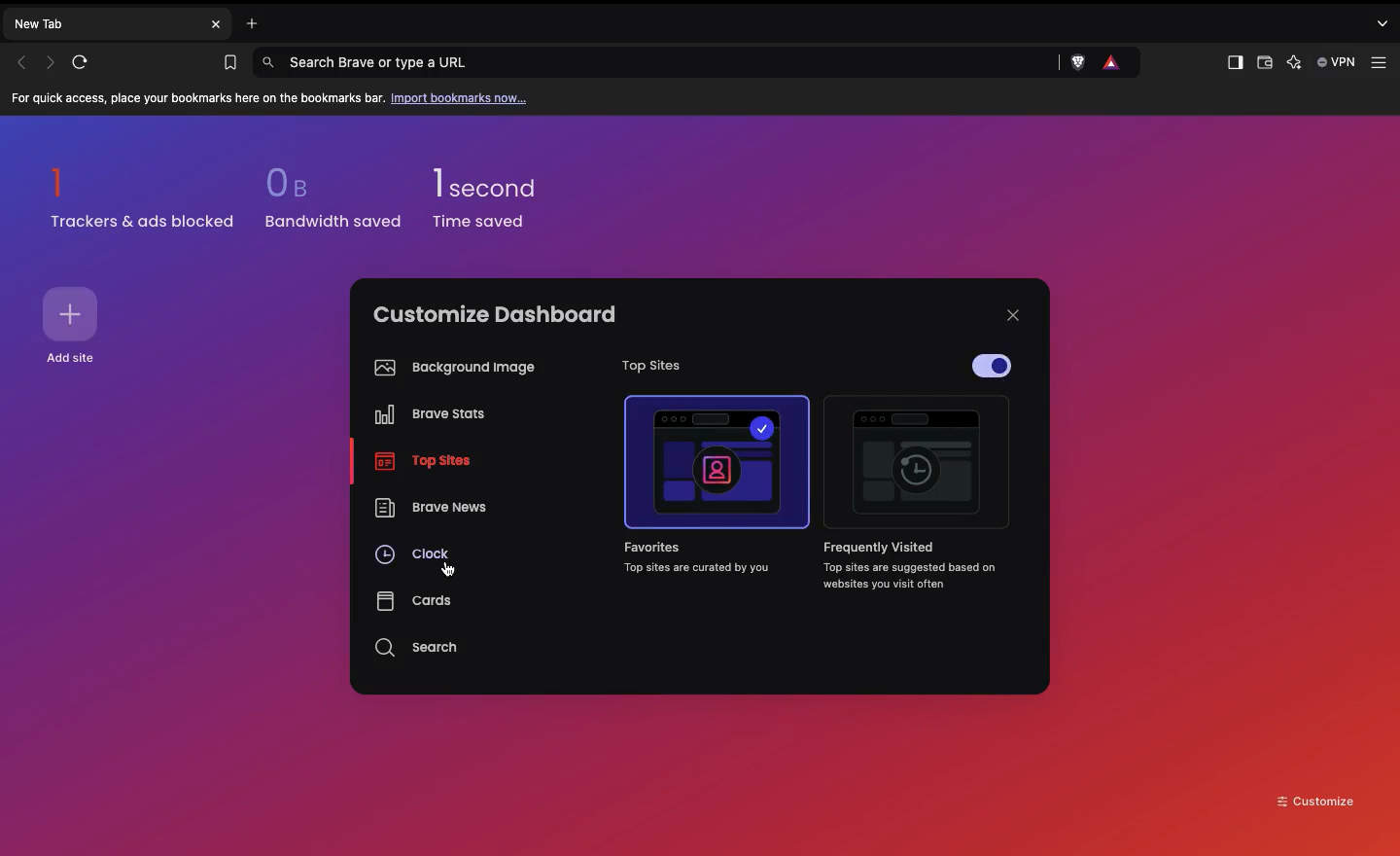  What do you see at coordinates (76, 359) in the screenshot?
I see `Add site` at bounding box center [76, 359].